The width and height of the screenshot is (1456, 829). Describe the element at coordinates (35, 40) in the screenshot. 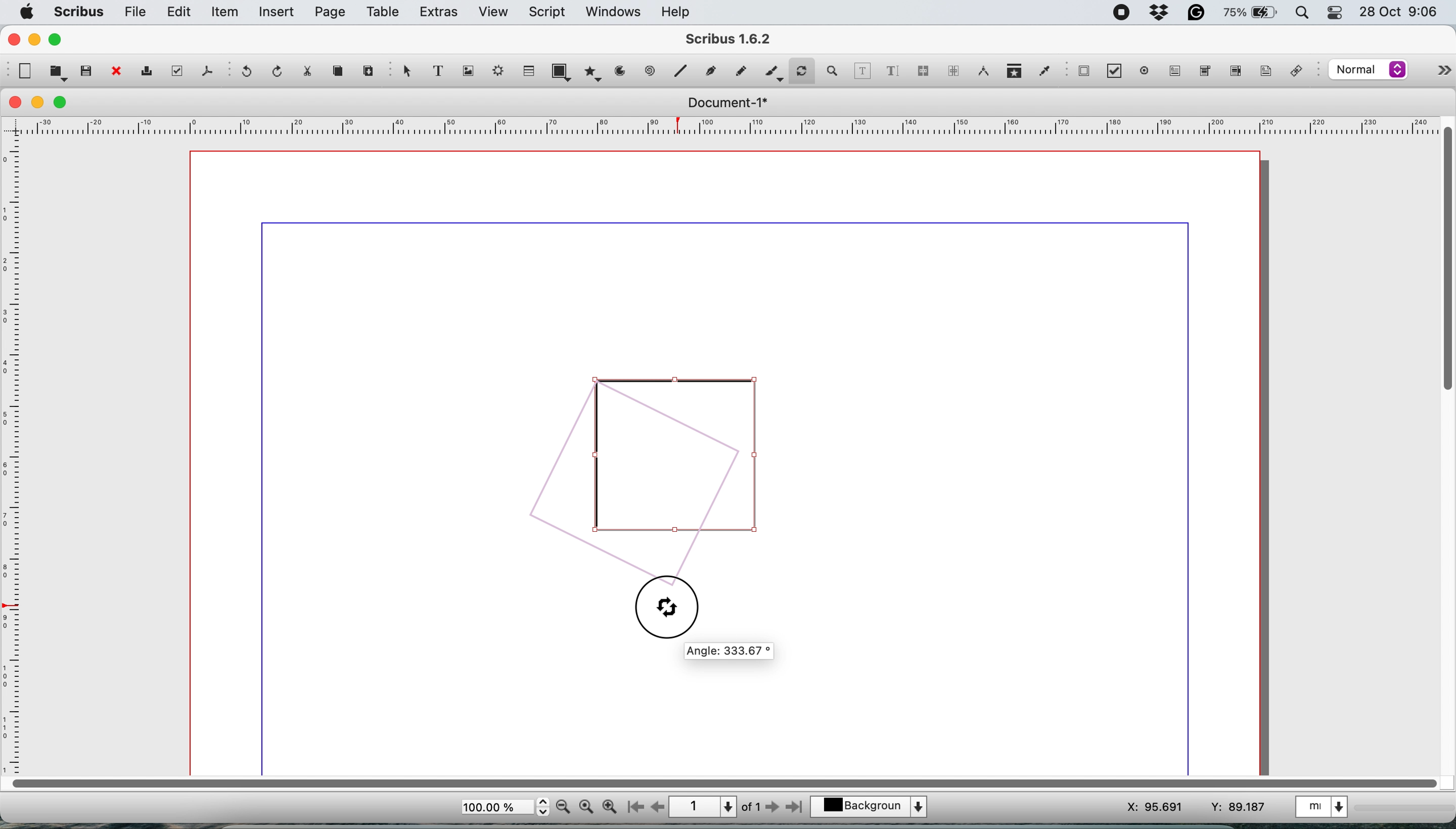

I see `minimise` at that location.